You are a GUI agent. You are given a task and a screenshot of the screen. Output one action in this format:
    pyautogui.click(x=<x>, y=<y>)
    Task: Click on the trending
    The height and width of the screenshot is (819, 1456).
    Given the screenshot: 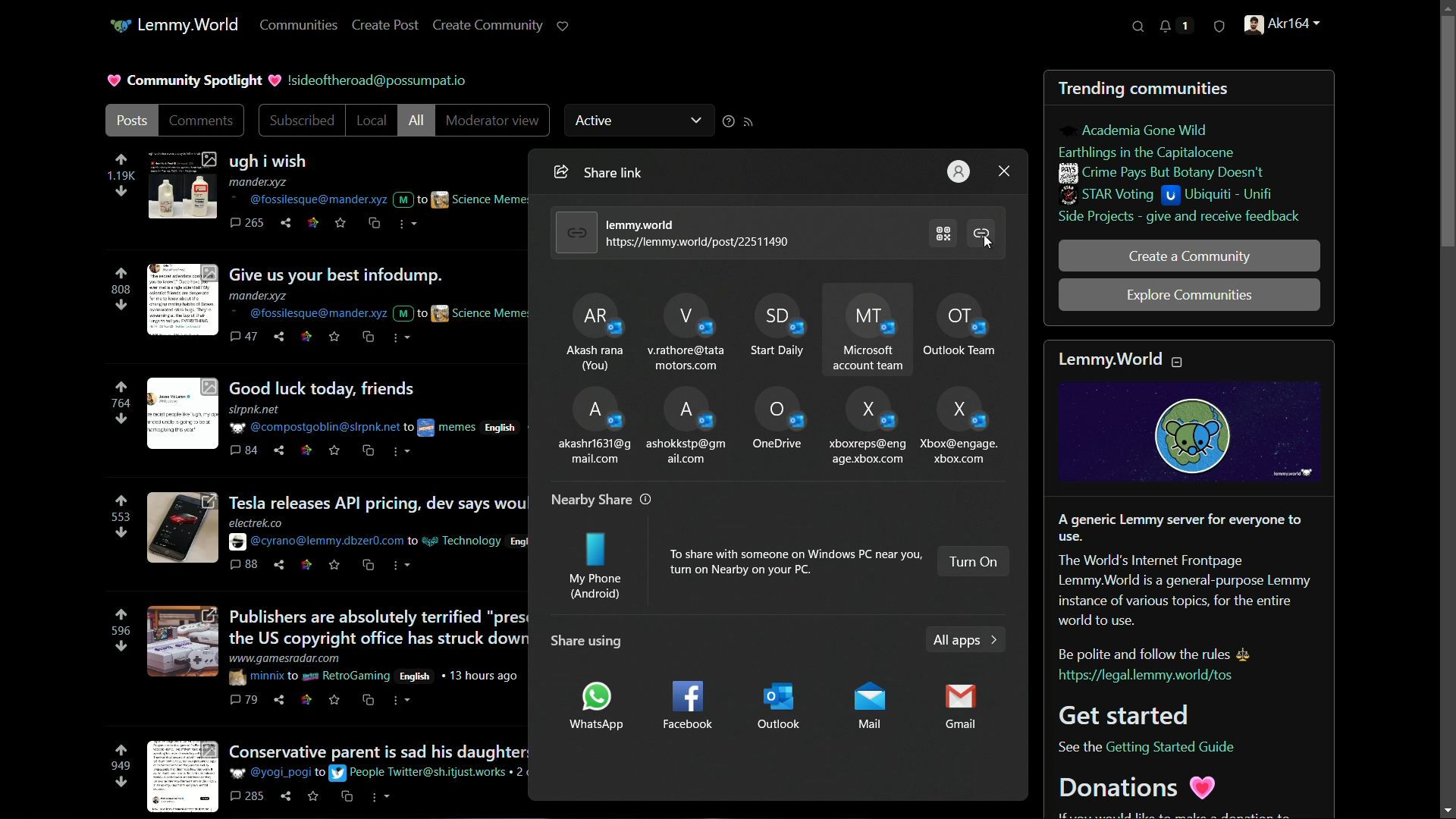 What is the action you would take?
    pyautogui.click(x=1091, y=90)
    